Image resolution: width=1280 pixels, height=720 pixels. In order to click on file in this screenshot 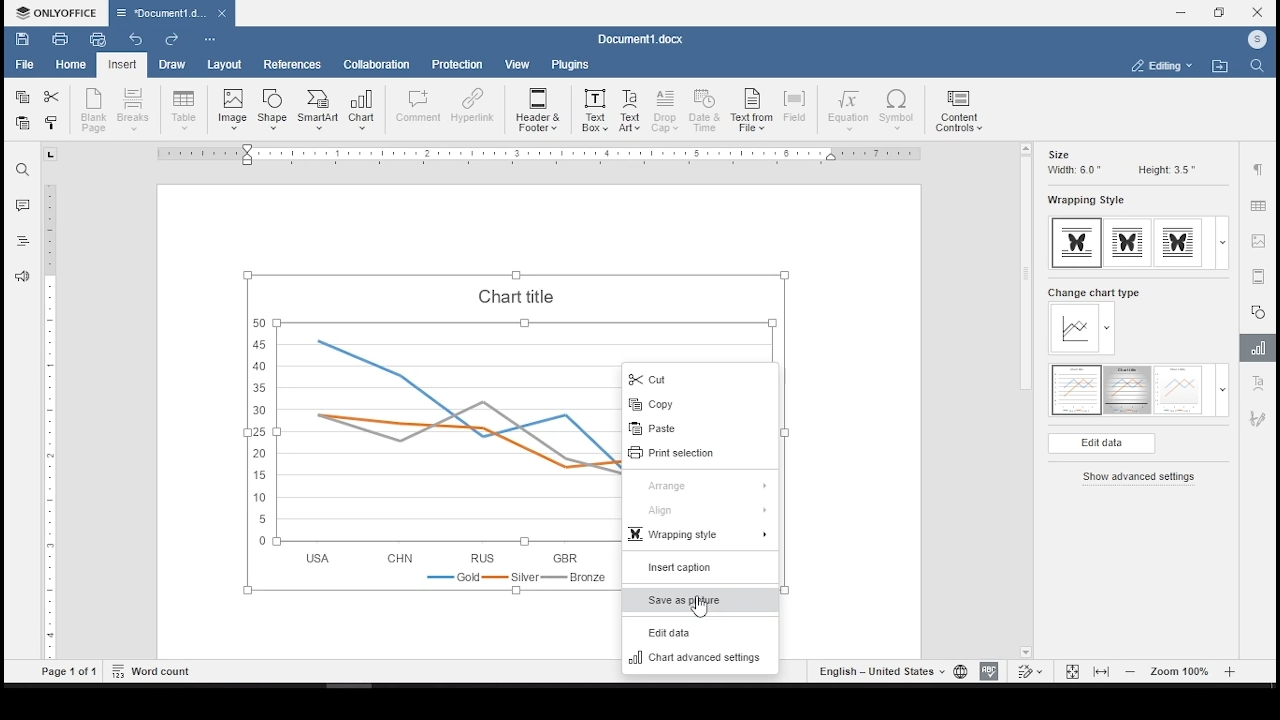, I will do `click(24, 65)`.